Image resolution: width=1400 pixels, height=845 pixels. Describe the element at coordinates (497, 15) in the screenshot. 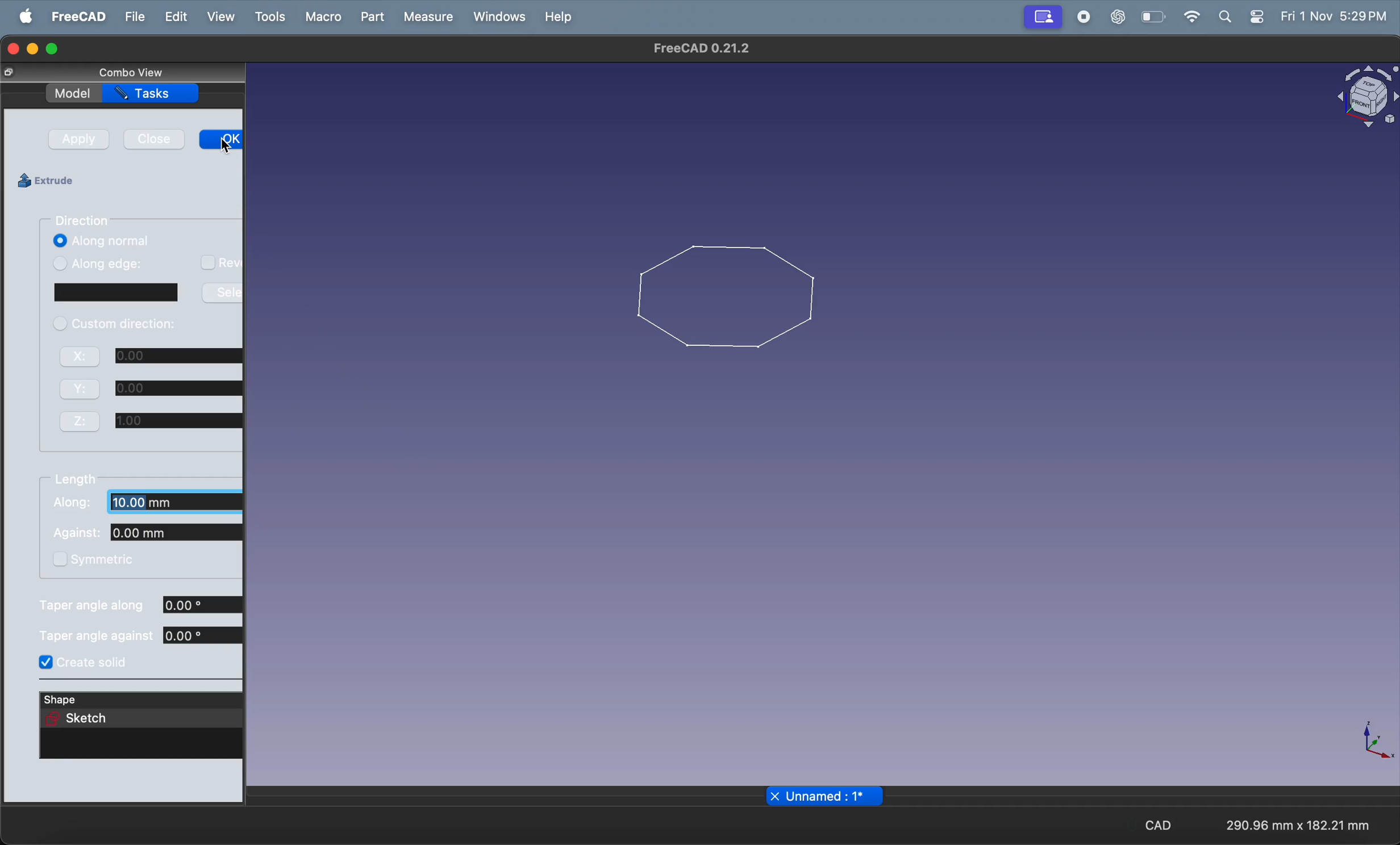

I see `windows` at that location.